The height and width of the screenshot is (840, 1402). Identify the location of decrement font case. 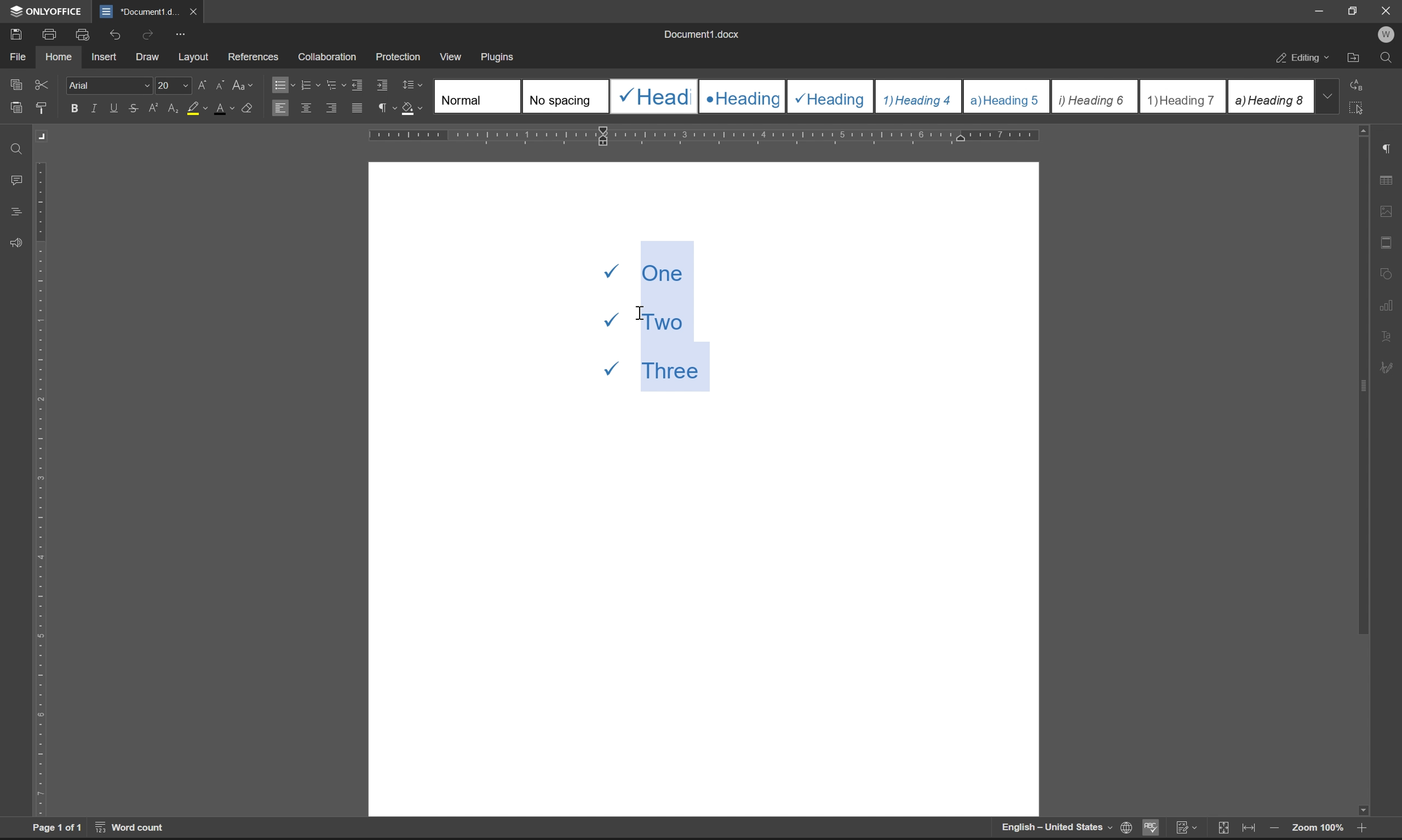
(217, 83).